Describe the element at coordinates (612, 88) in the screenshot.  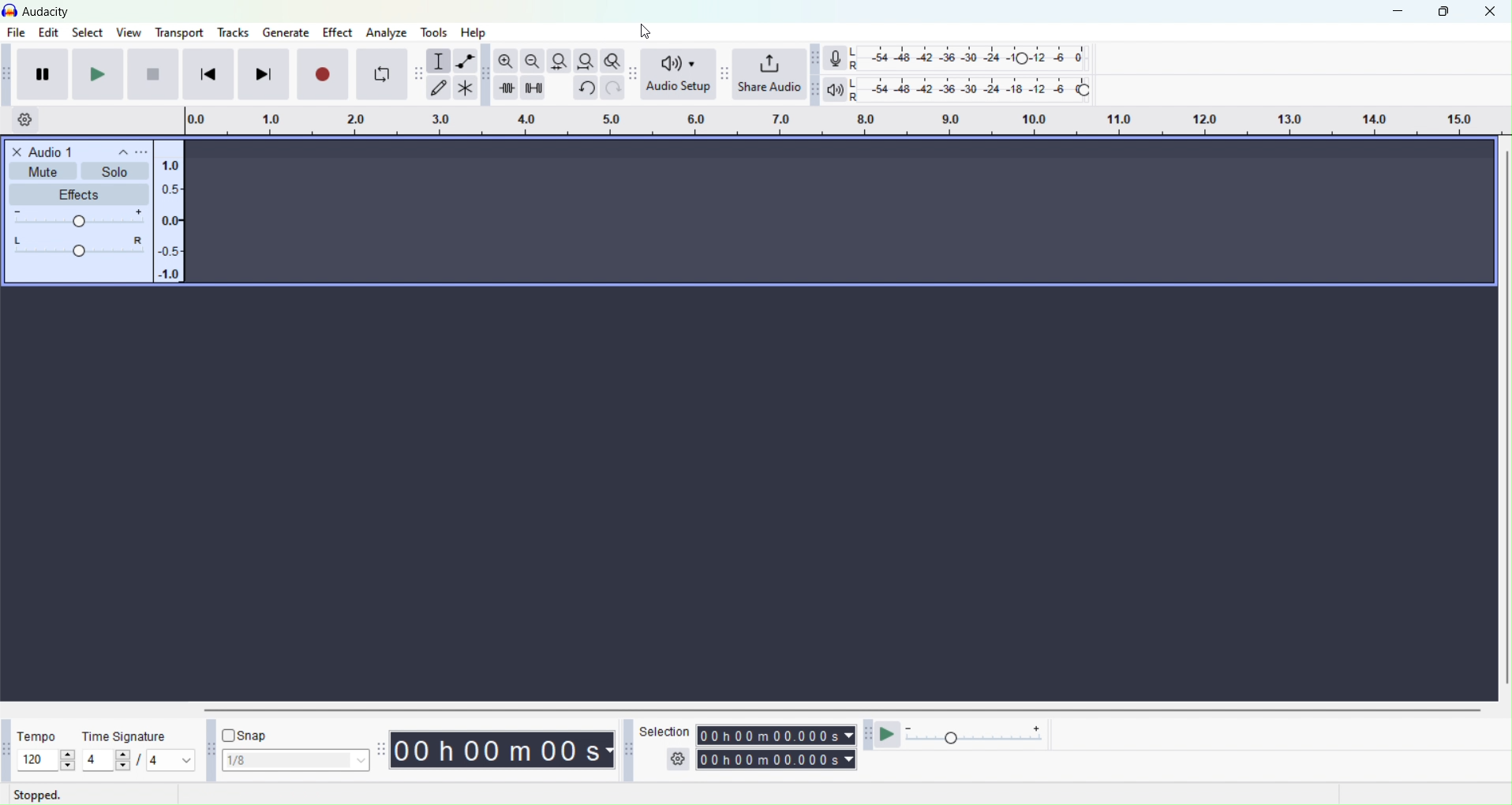
I see `Redo` at that location.